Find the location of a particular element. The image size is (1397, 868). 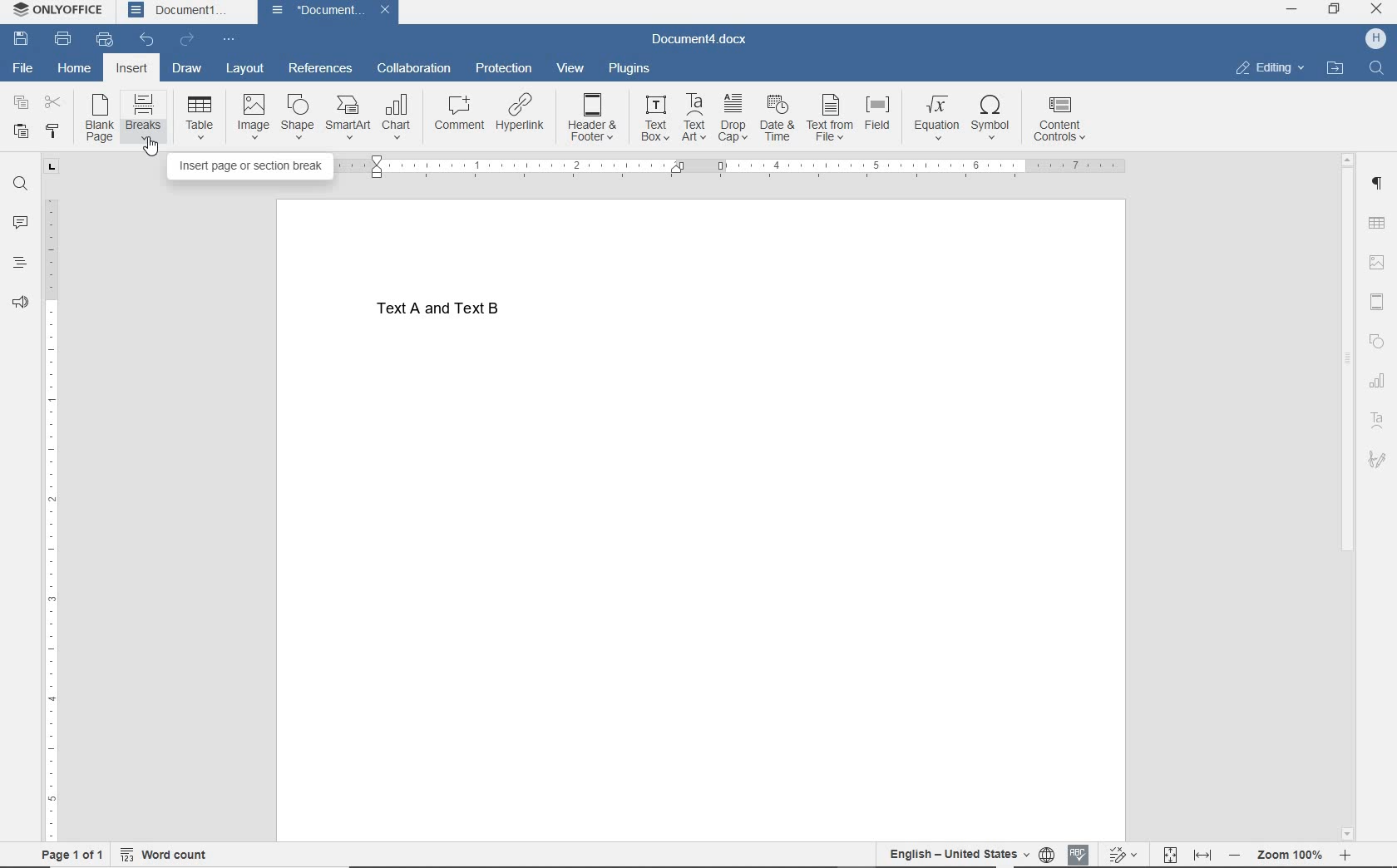

IMAGE is located at coordinates (1376, 264).